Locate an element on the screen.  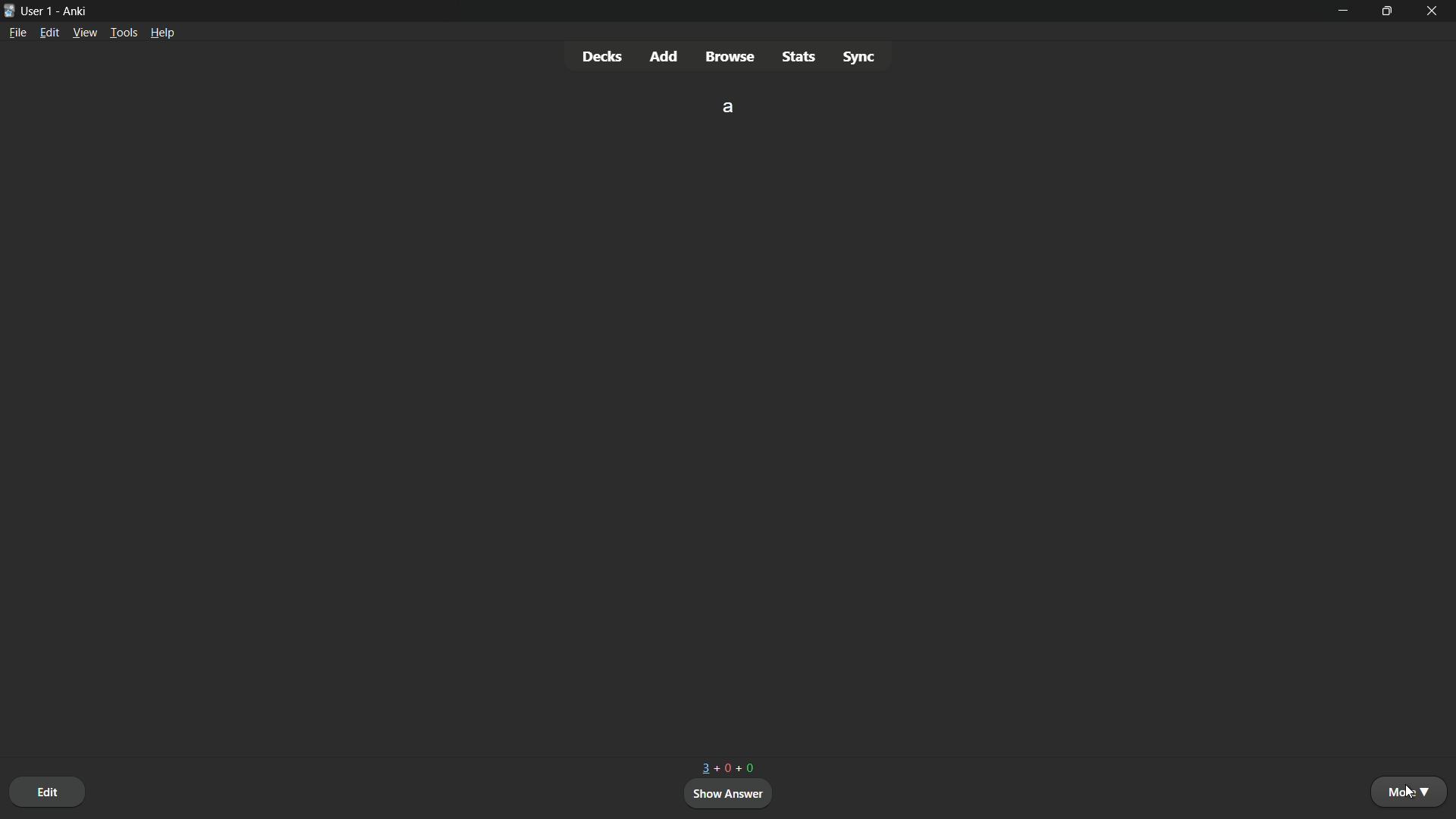
minimize is located at coordinates (1345, 11).